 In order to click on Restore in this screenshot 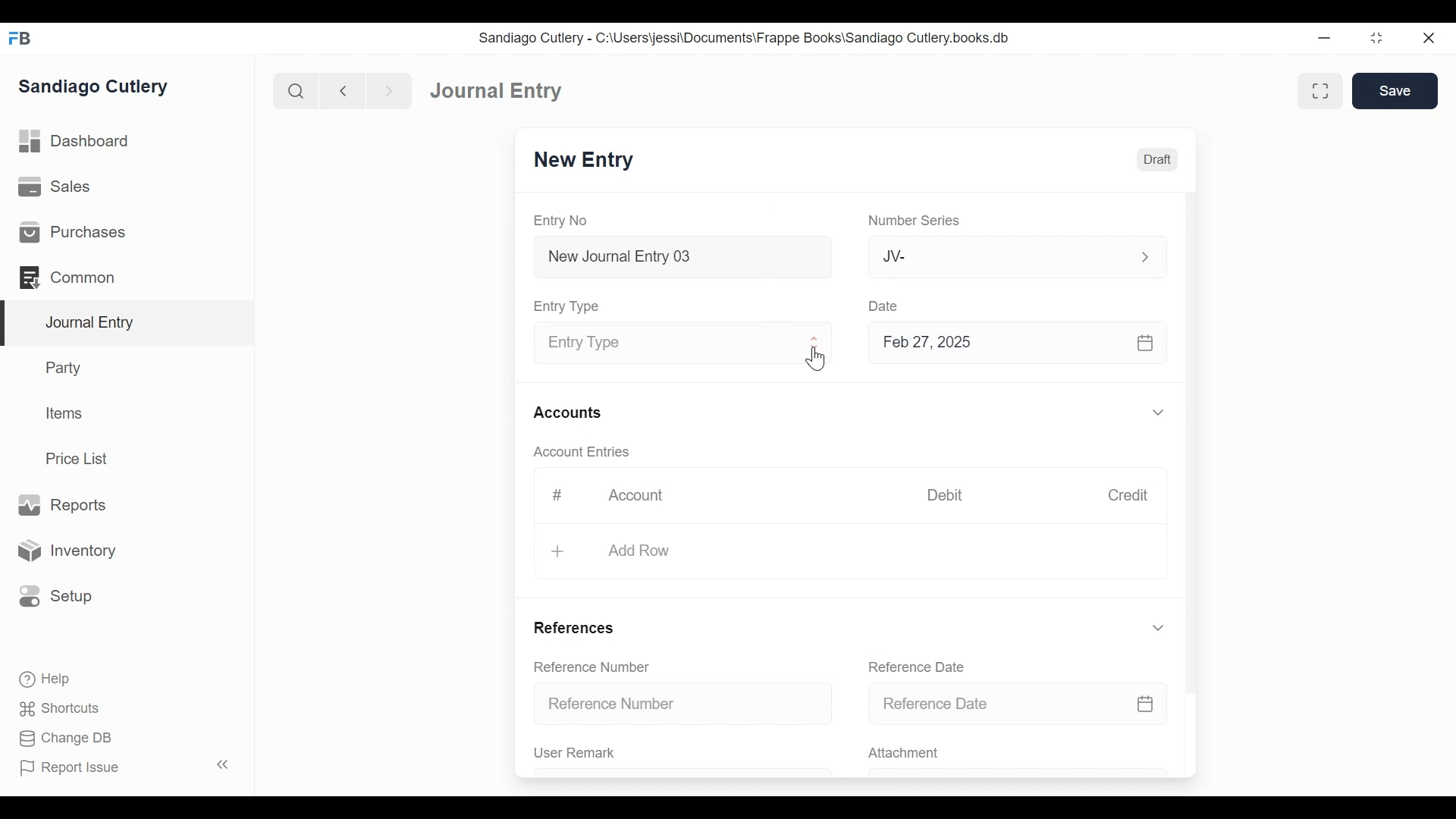, I will do `click(1376, 37)`.